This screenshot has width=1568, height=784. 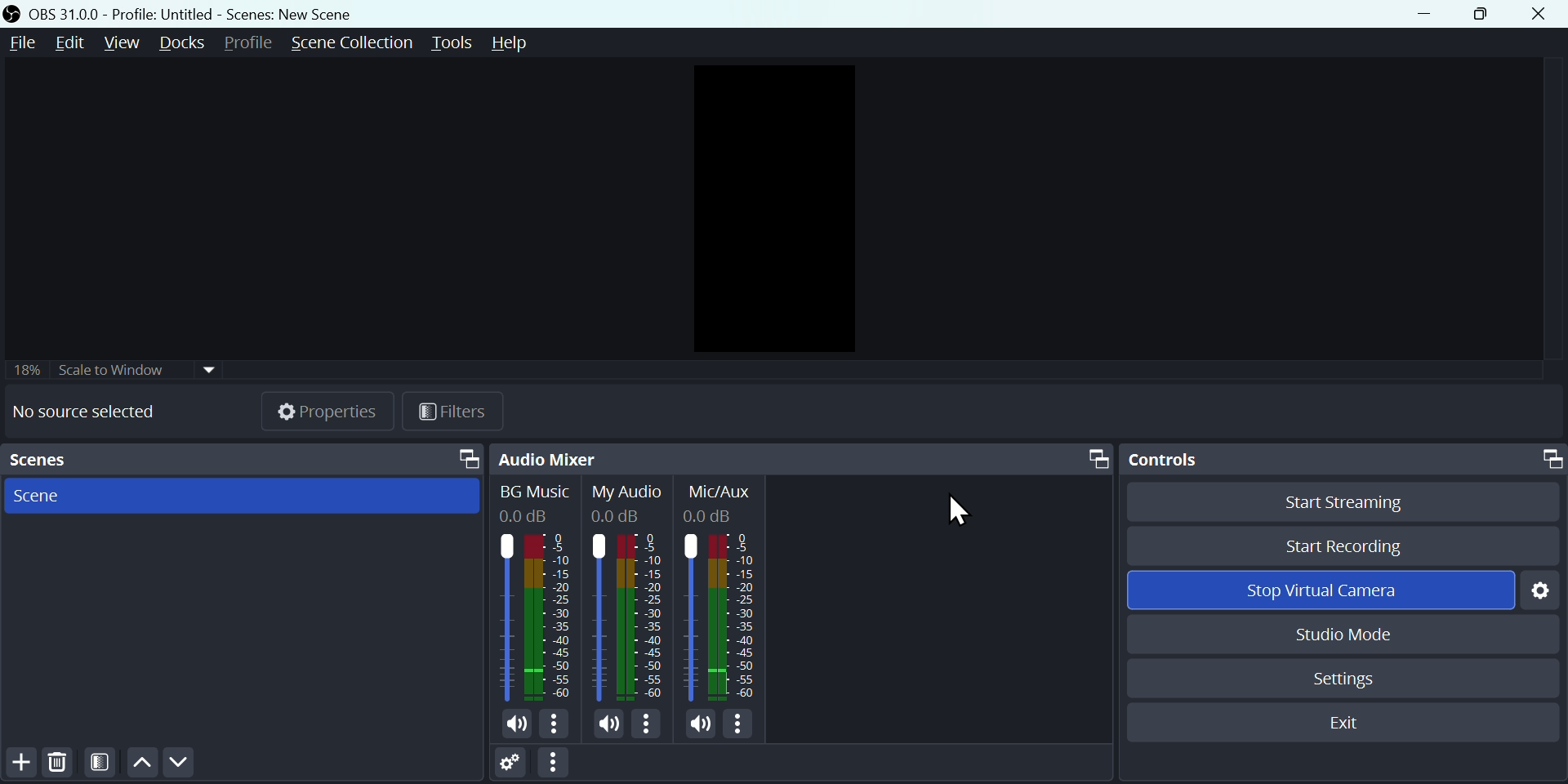 I want to click on File, so click(x=21, y=43).